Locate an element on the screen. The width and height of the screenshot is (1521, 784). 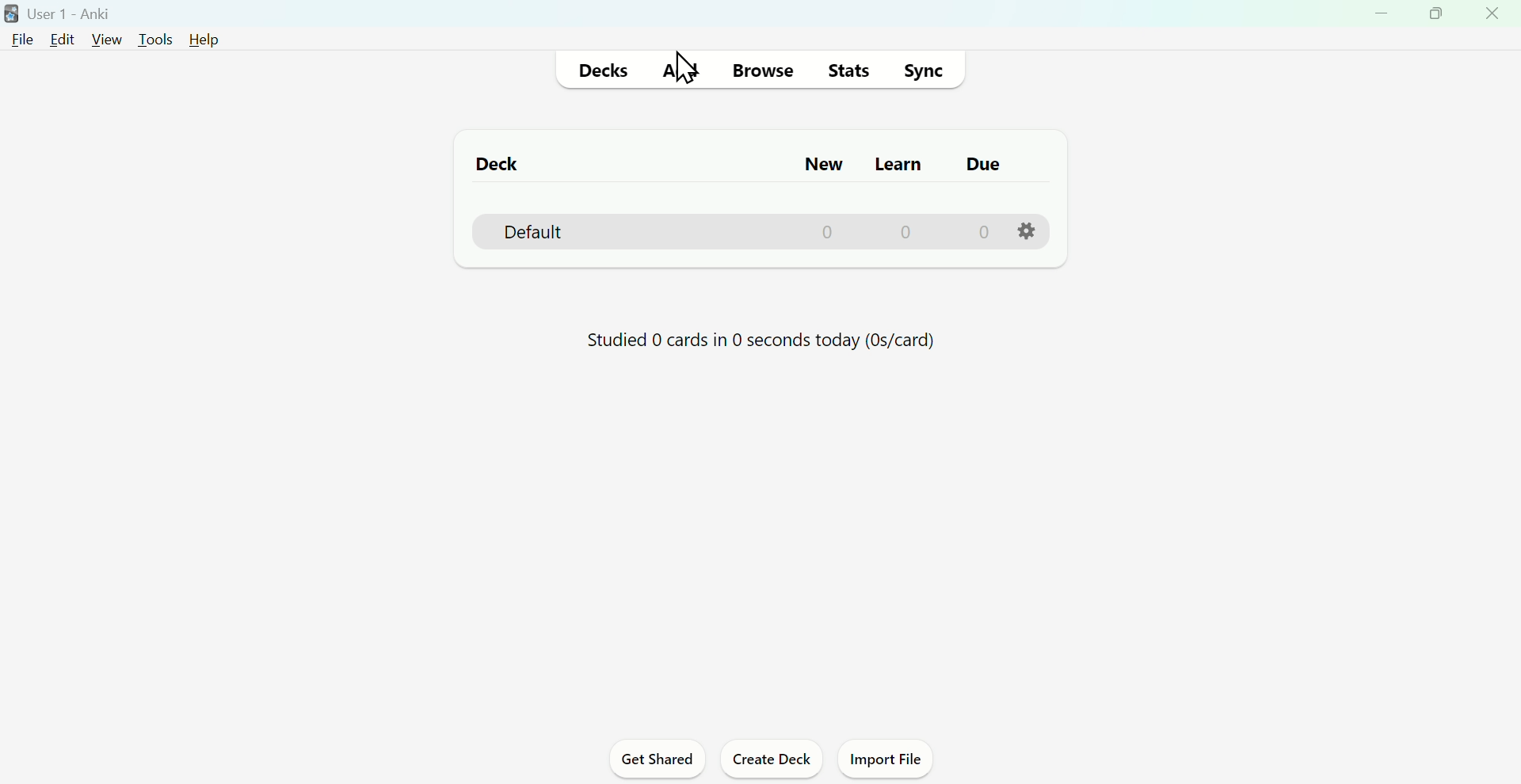
New is located at coordinates (816, 165).